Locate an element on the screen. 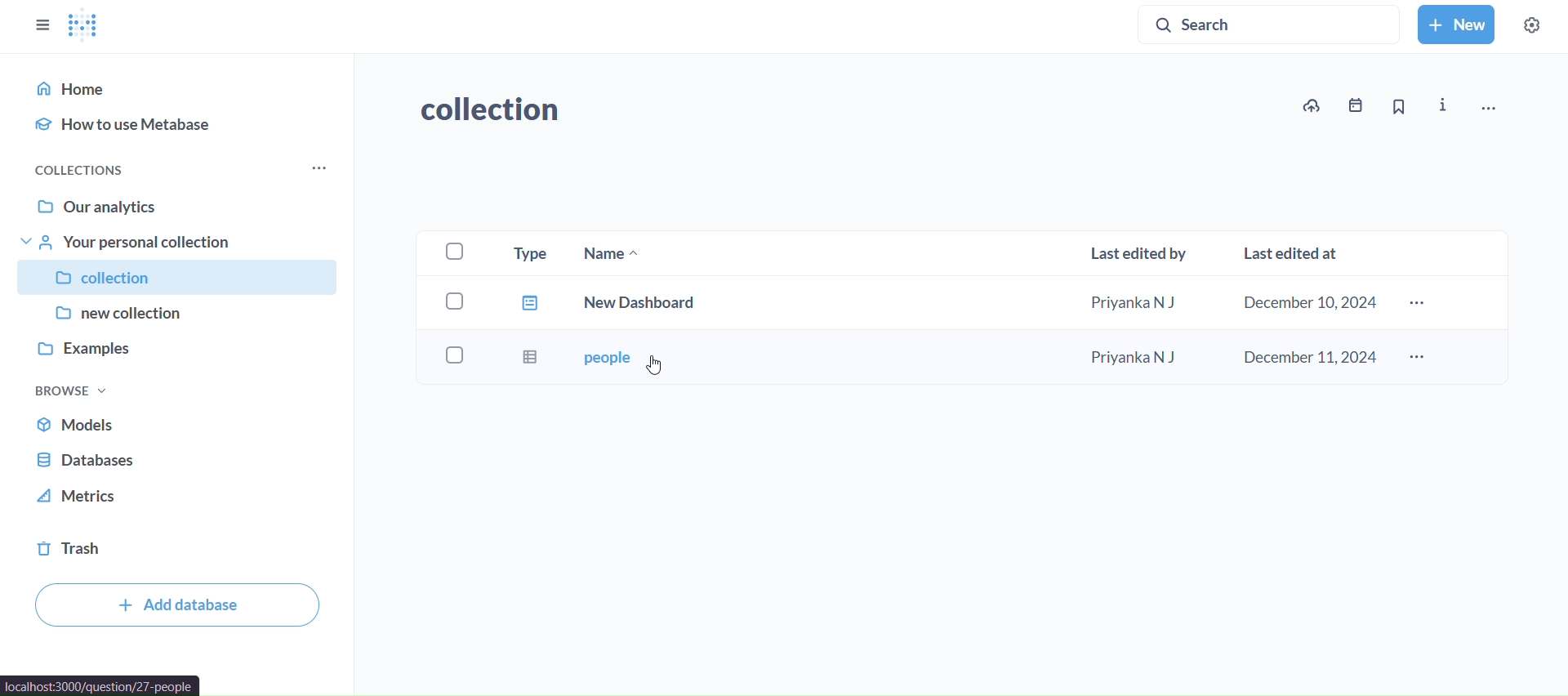  trash is located at coordinates (179, 550).